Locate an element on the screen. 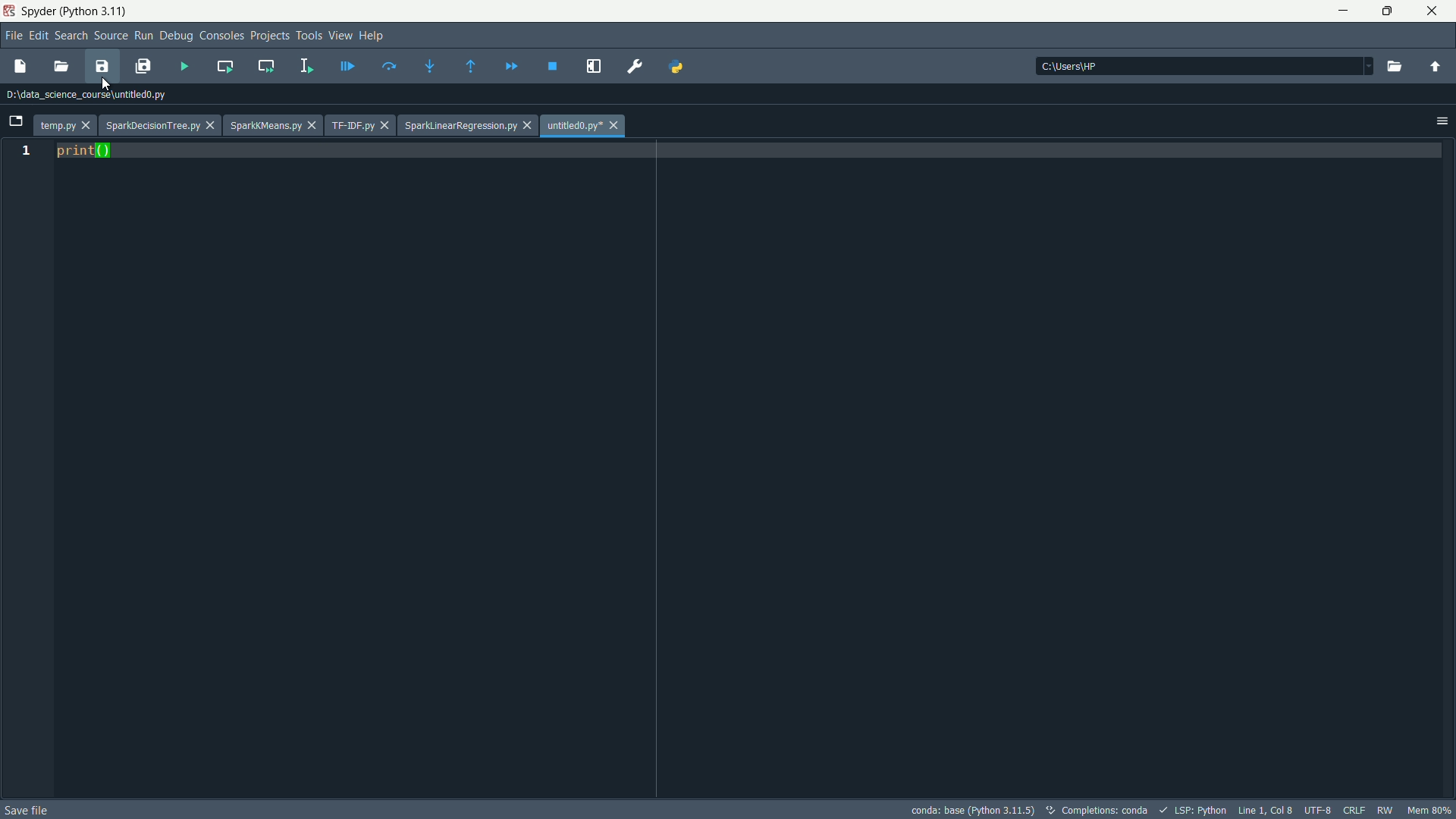 The image size is (1456, 819). save file is located at coordinates (27, 810).